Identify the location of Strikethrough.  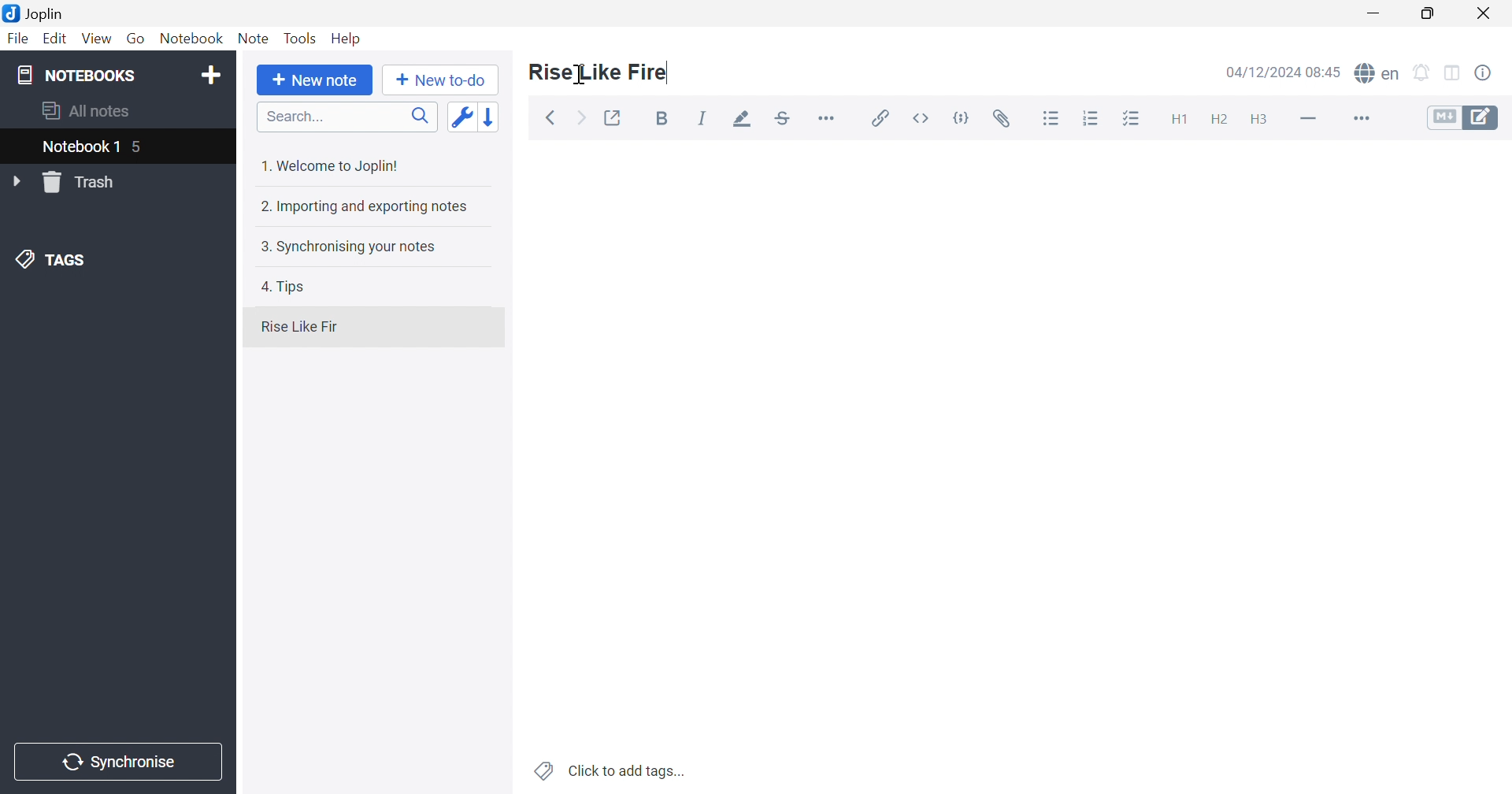
(782, 118).